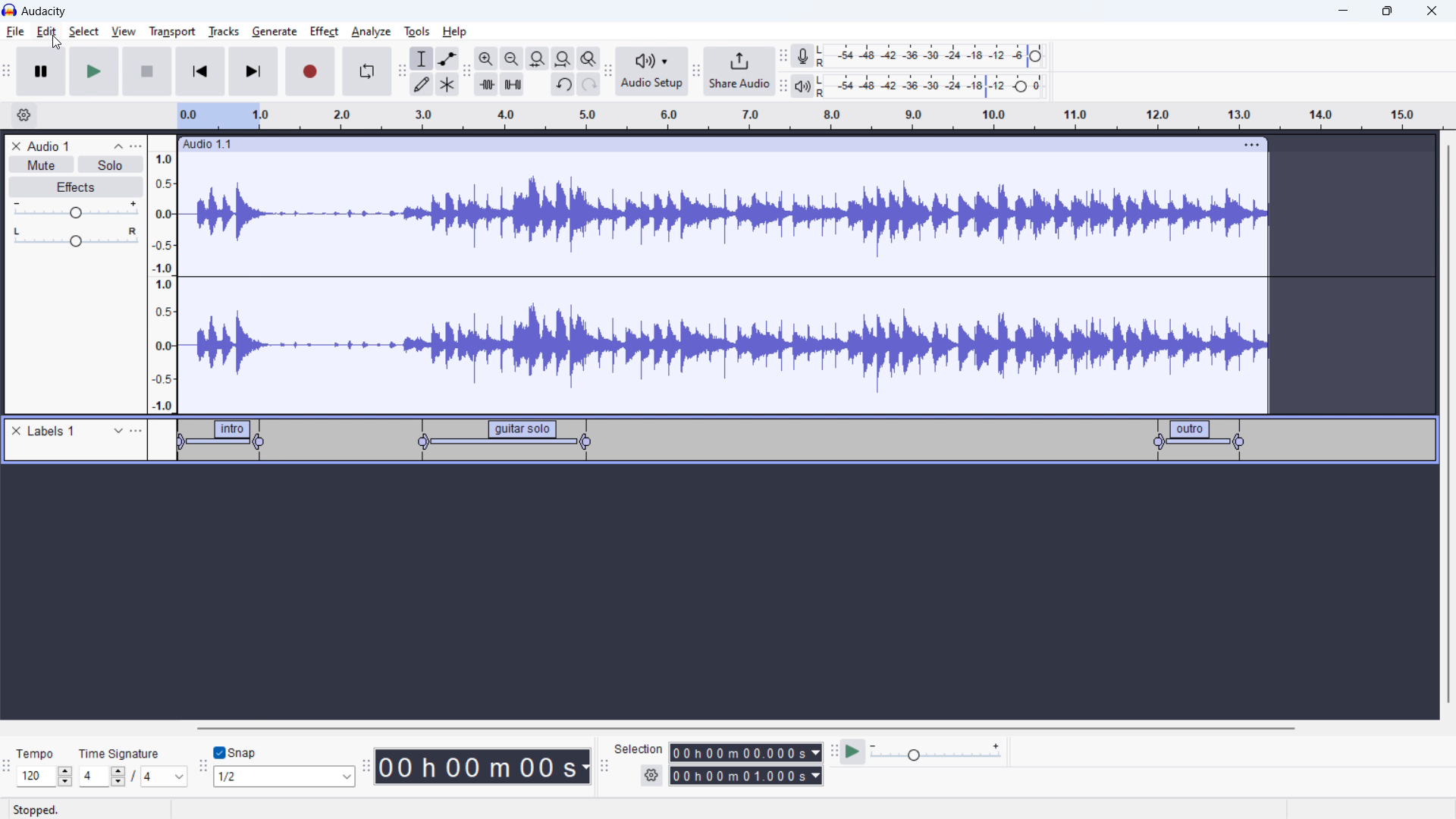  Describe the element at coordinates (738, 71) in the screenshot. I see `share audio` at that location.